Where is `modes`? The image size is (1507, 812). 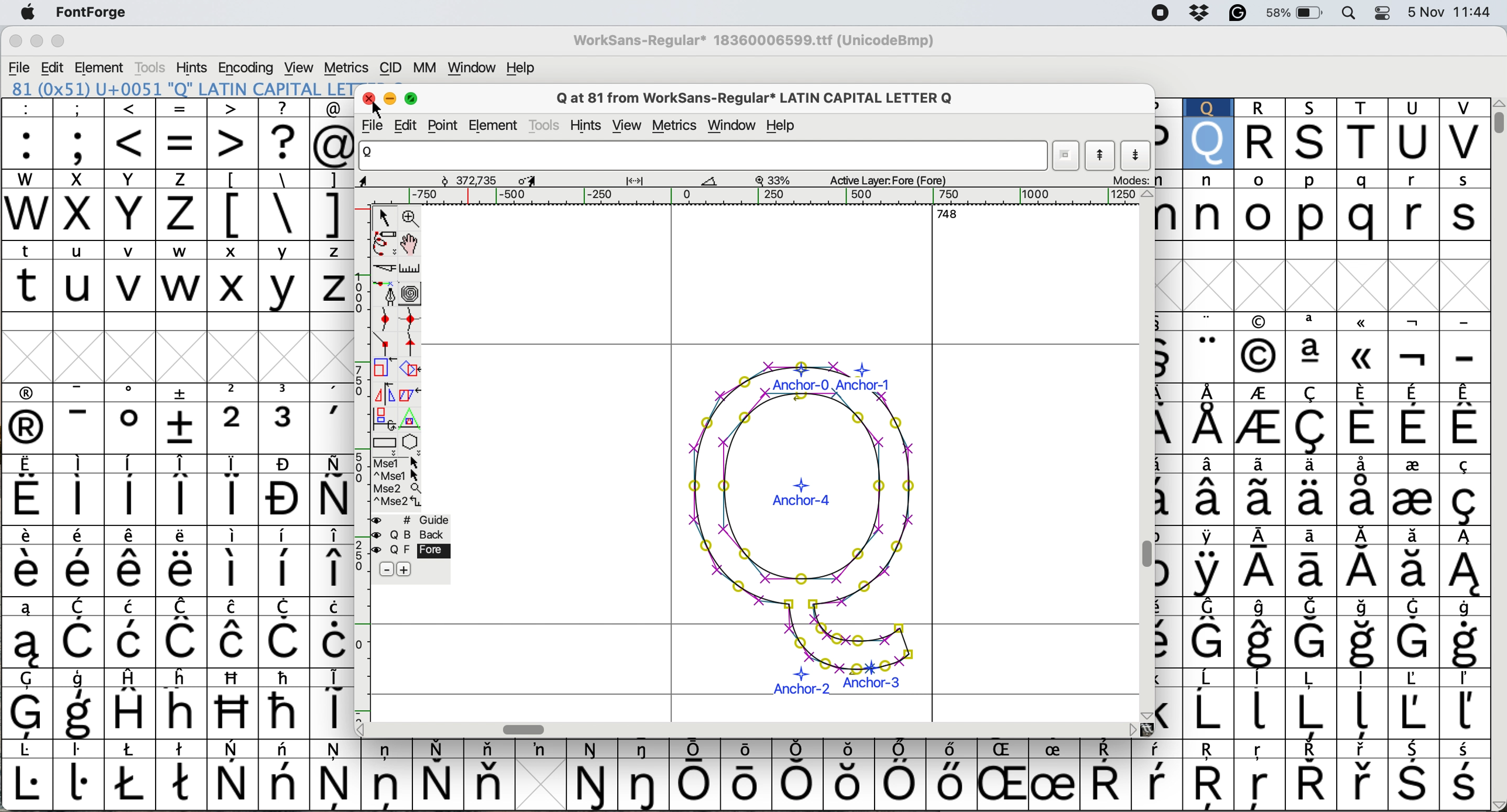
modes is located at coordinates (1134, 181).